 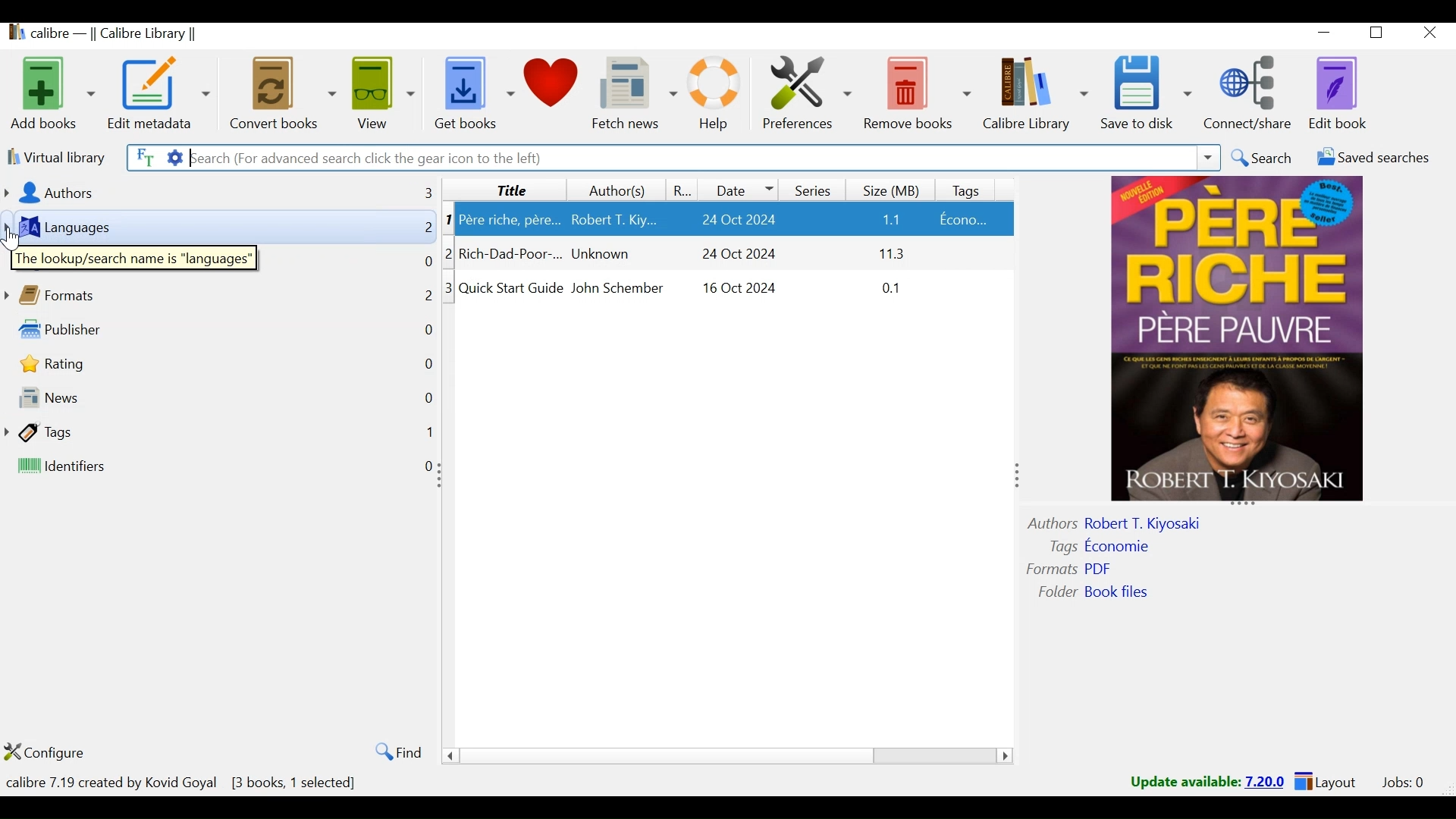 What do you see at coordinates (424, 263) in the screenshot?
I see `0` at bounding box center [424, 263].